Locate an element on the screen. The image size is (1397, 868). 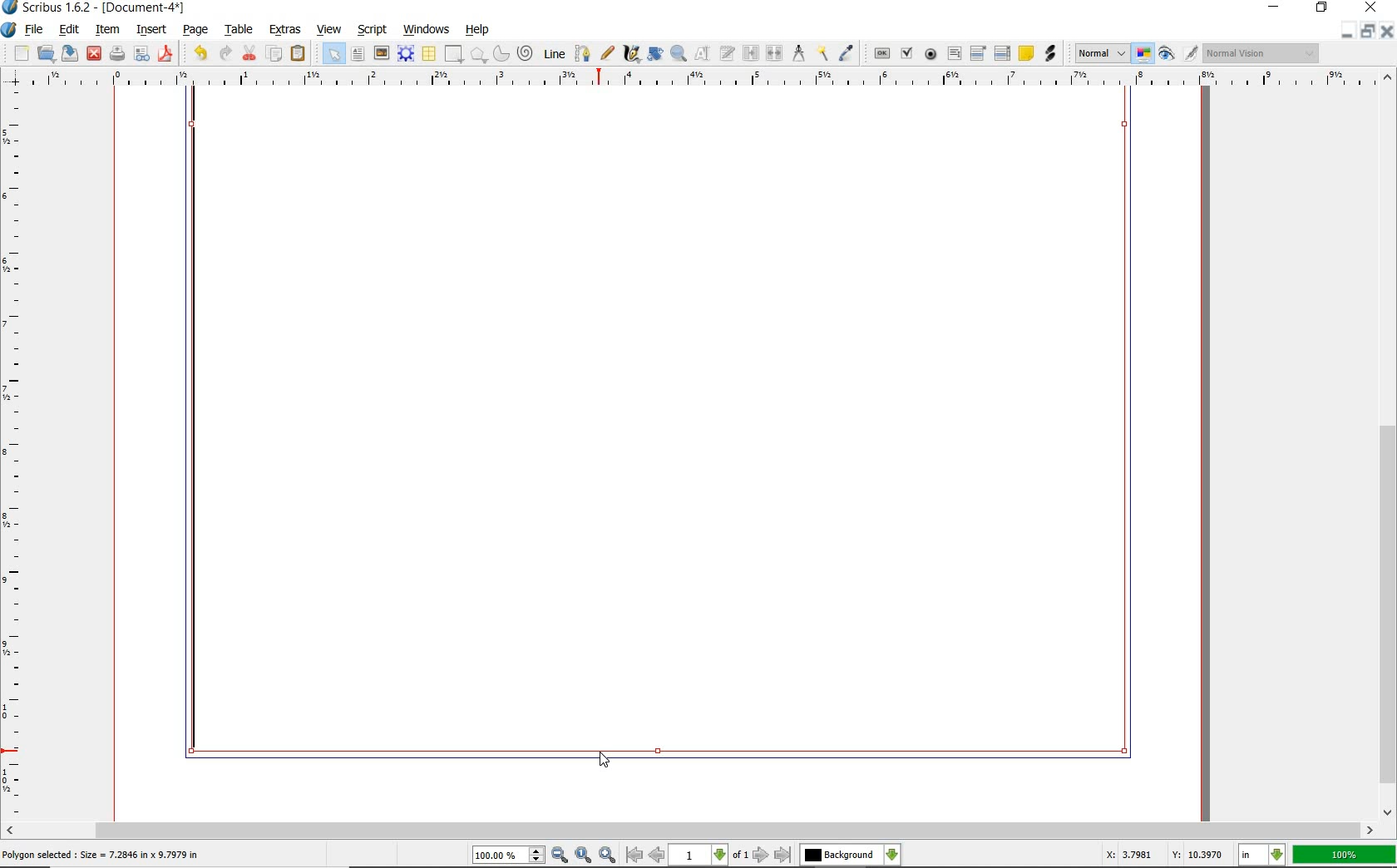
save is located at coordinates (71, 54).